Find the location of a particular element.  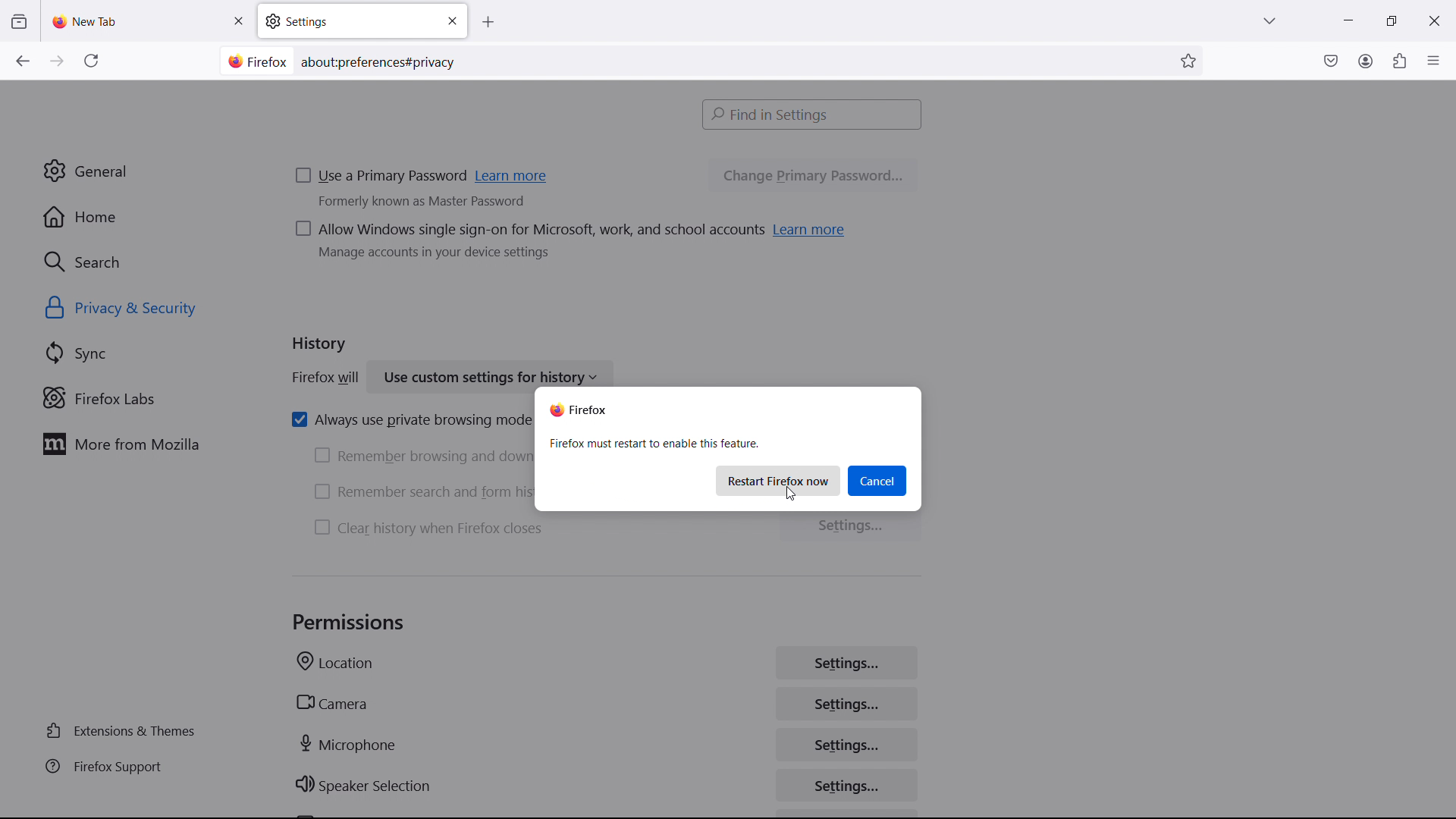

reload current page is located at coordinates (91, 64).